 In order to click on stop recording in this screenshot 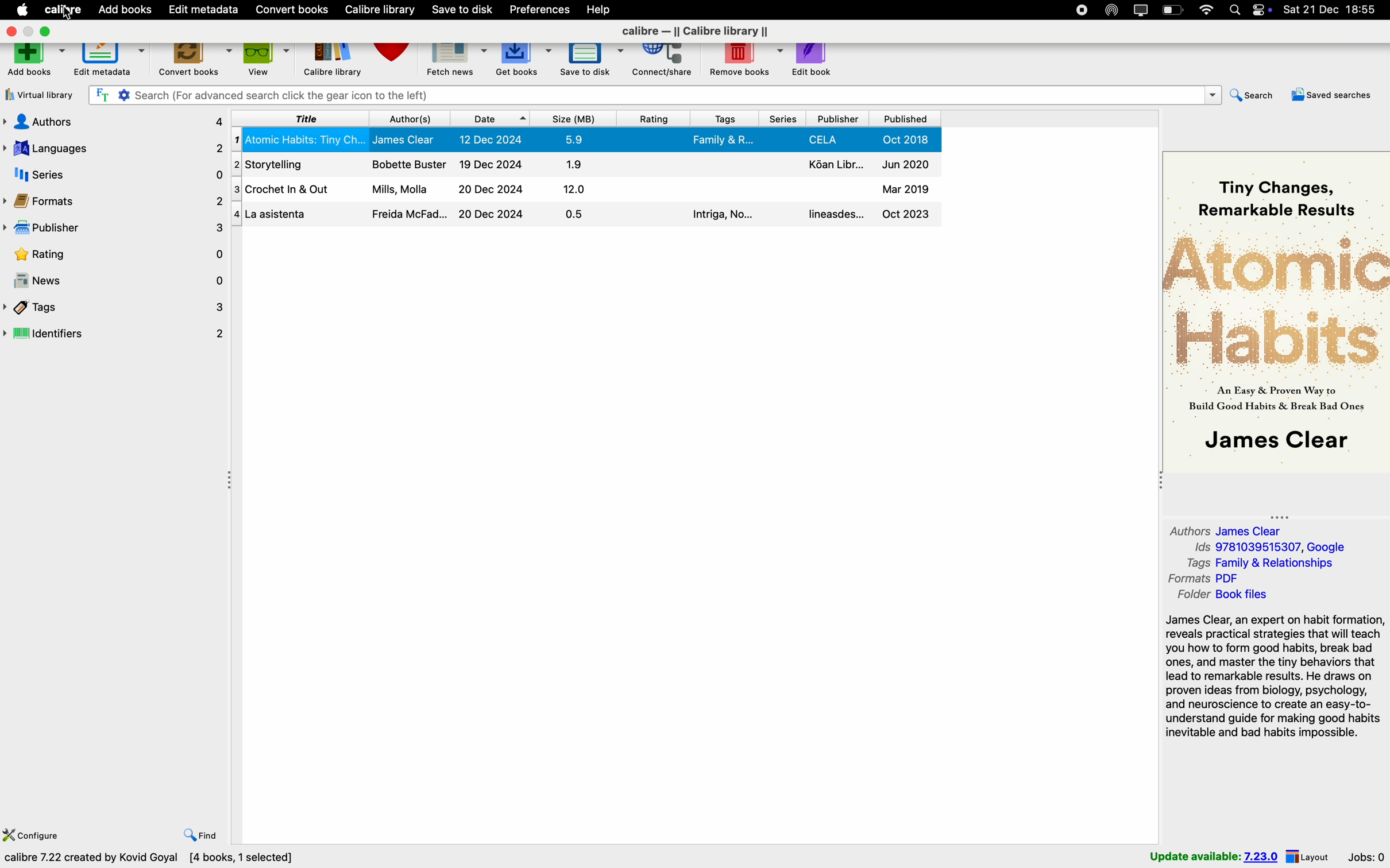, I will do `click(1079, 9)`.